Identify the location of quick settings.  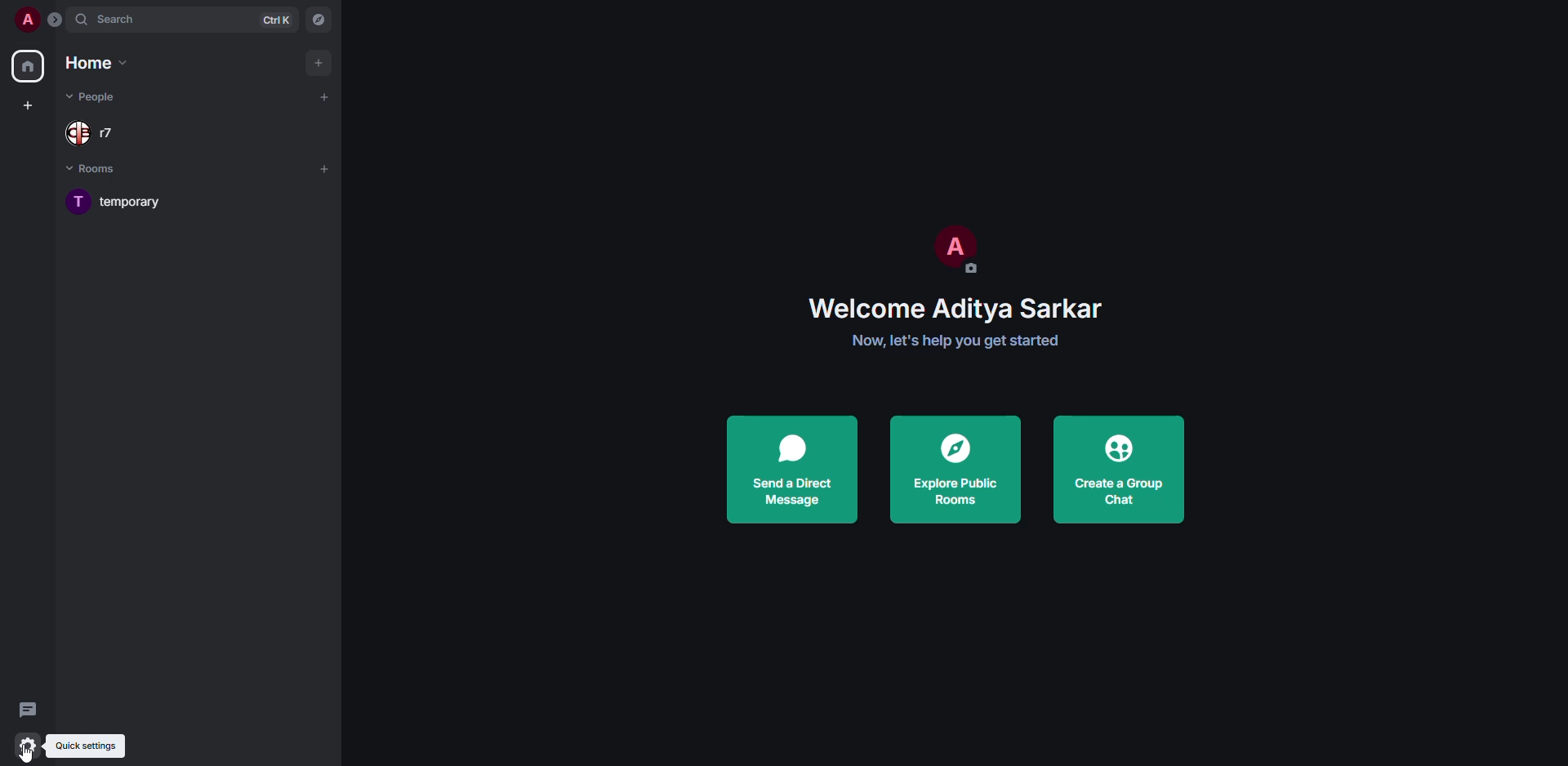
(90, 746).